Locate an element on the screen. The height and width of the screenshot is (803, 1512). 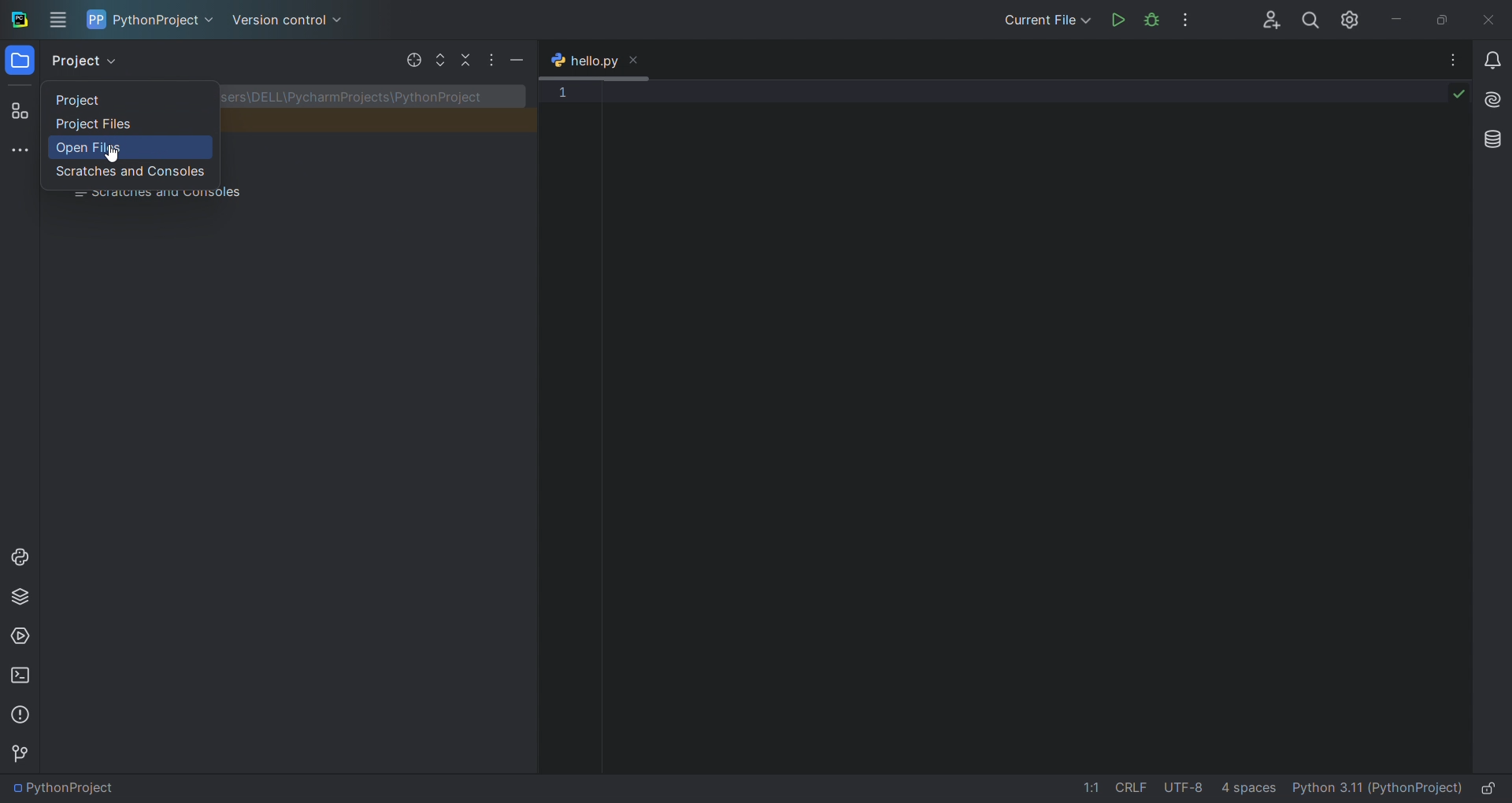
close is located at coordinates (1488, 20).